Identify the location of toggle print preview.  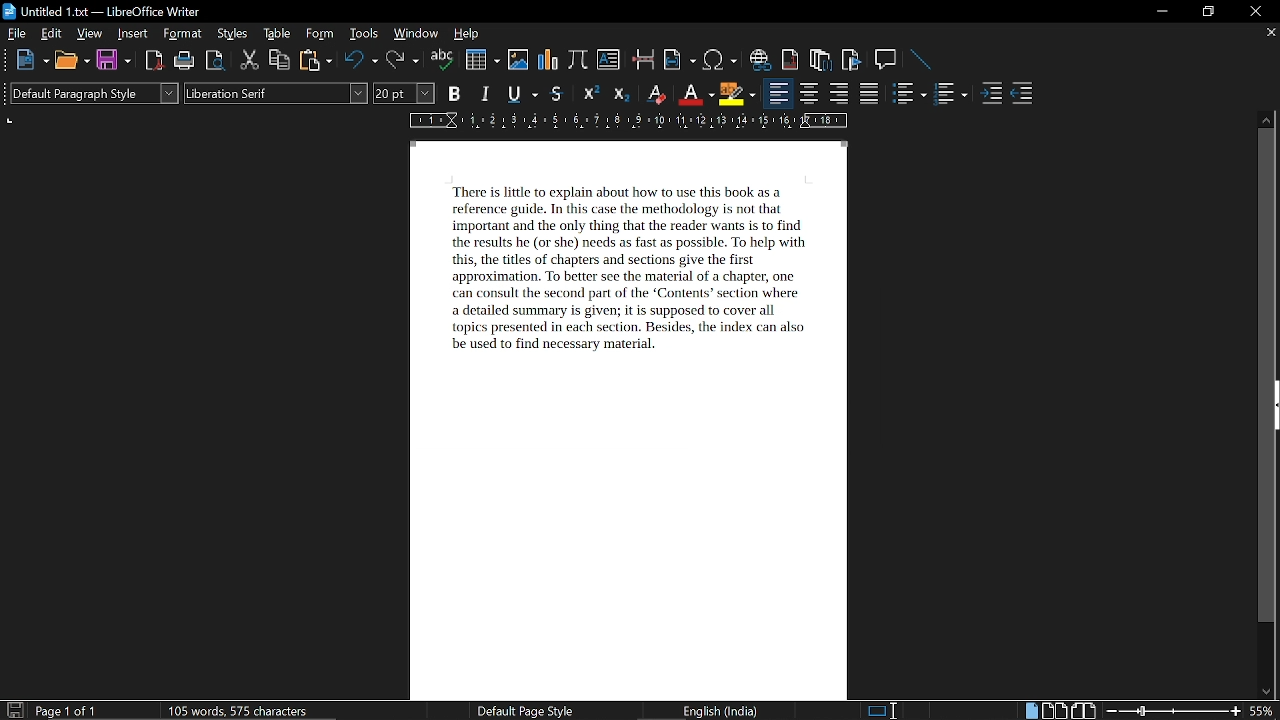
(216, 62).